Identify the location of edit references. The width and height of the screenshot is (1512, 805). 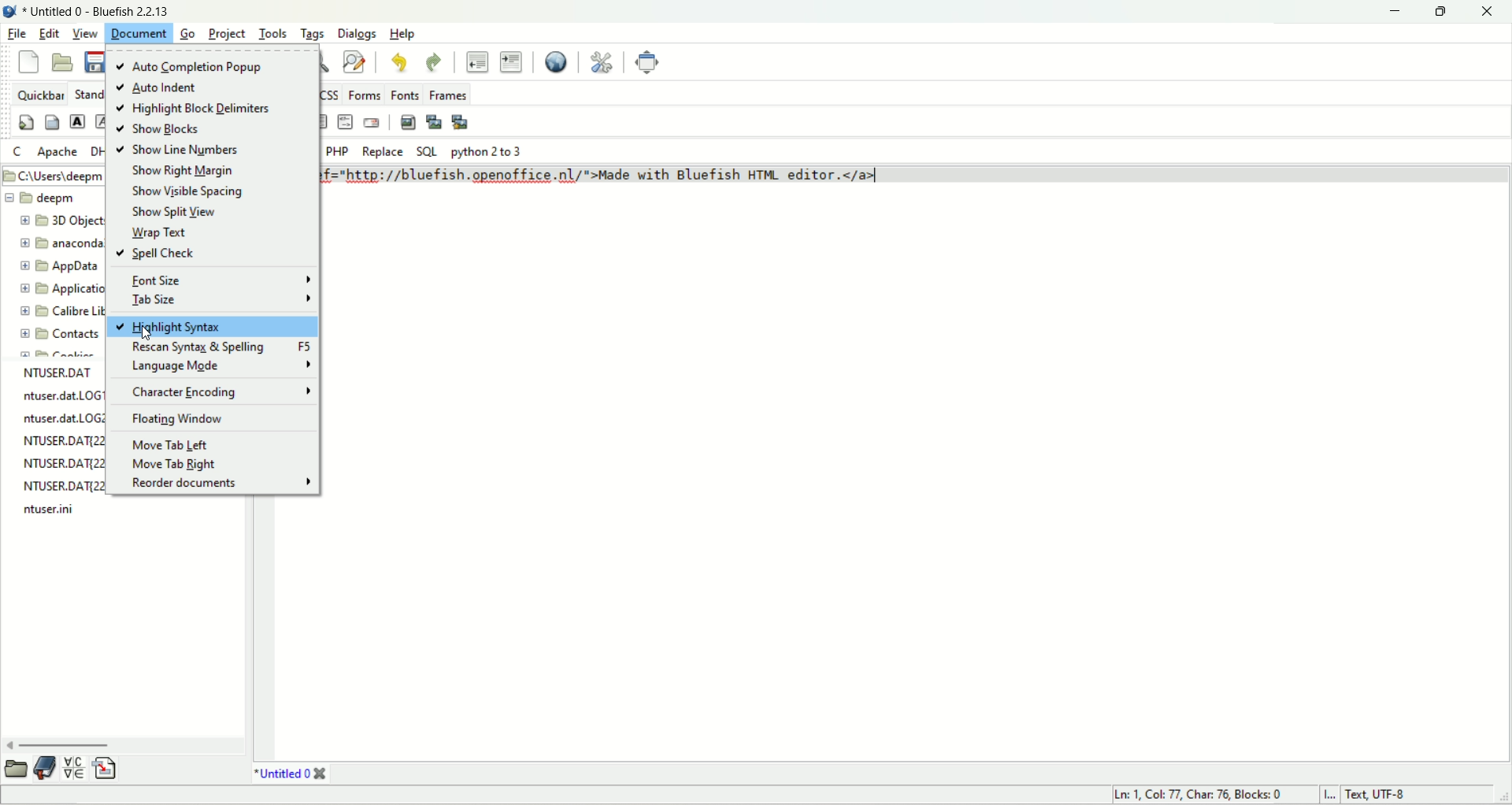
(602, 62).